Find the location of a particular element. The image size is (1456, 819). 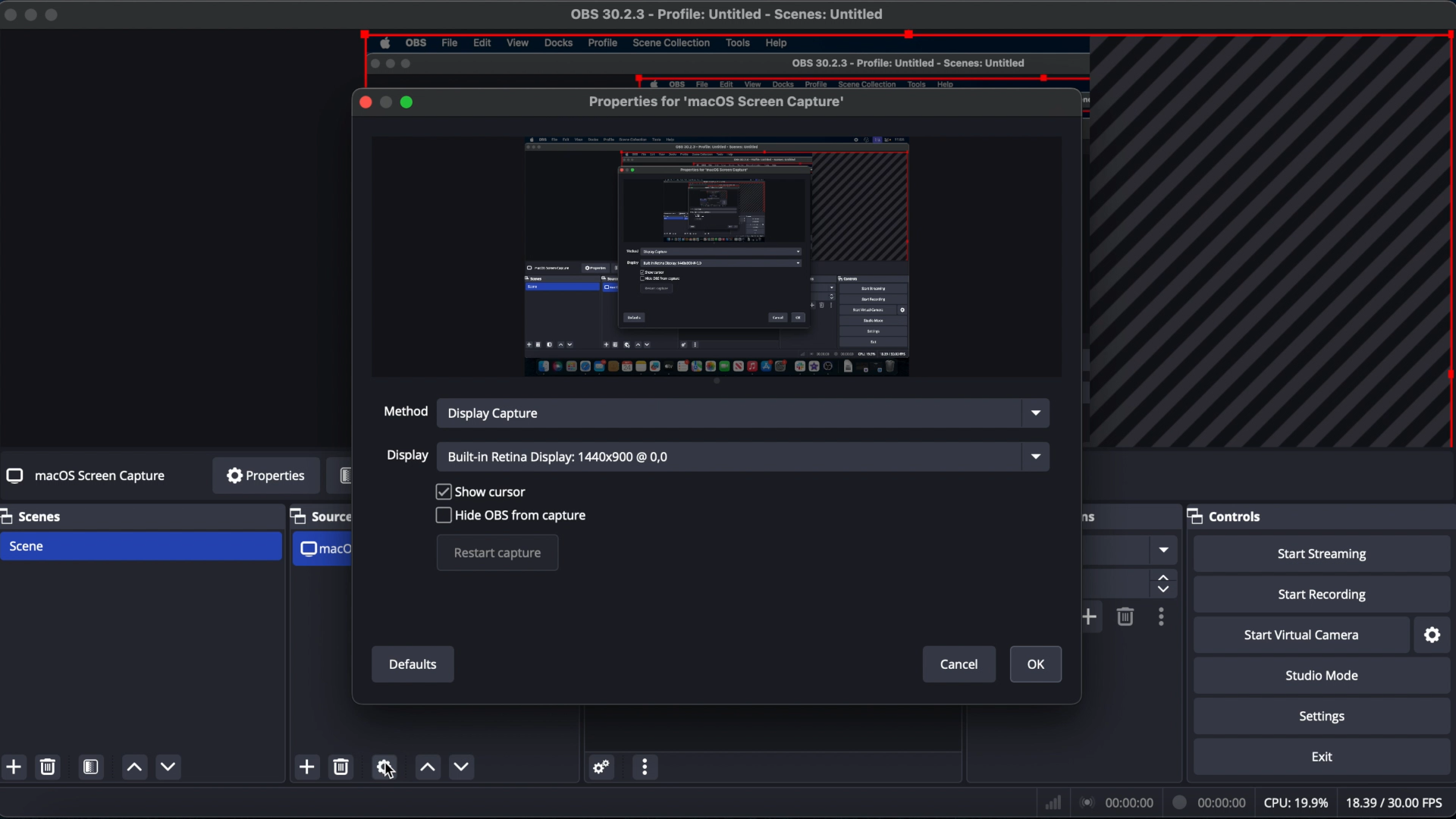

built-in Retina display drop down label is located at coordinates (560, 457).